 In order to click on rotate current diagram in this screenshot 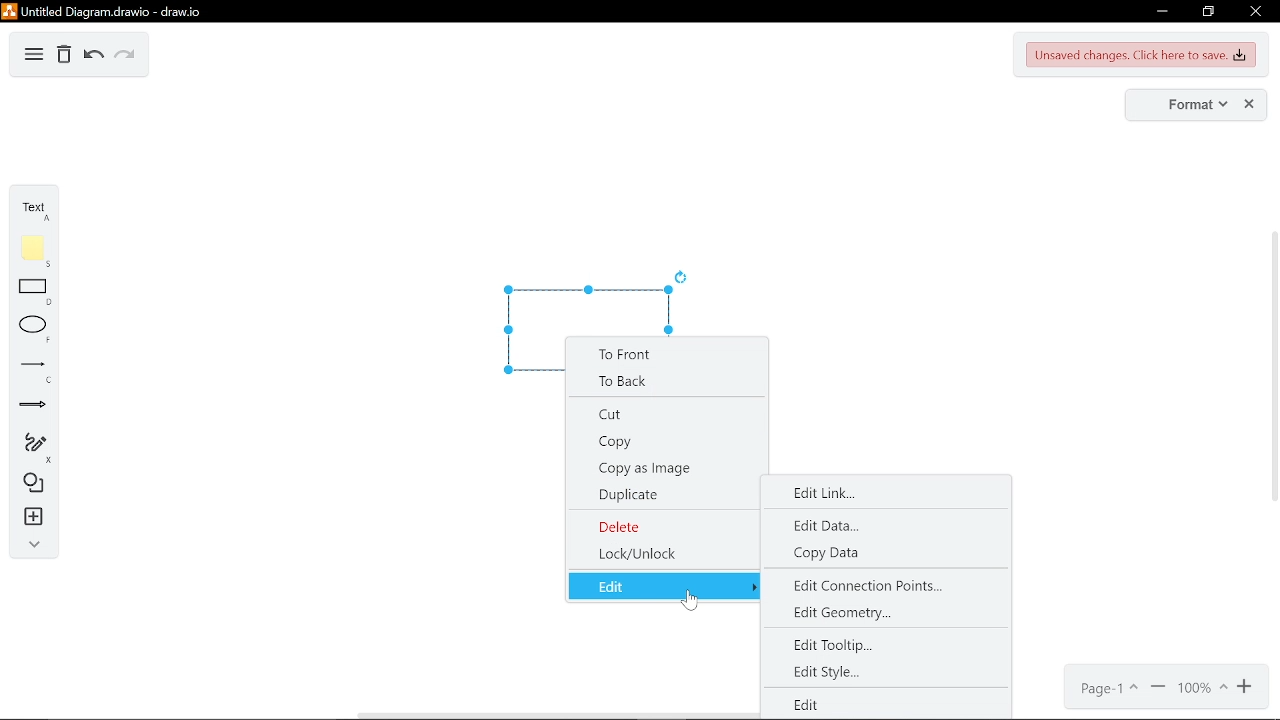, I will do `click(686, 278)`.